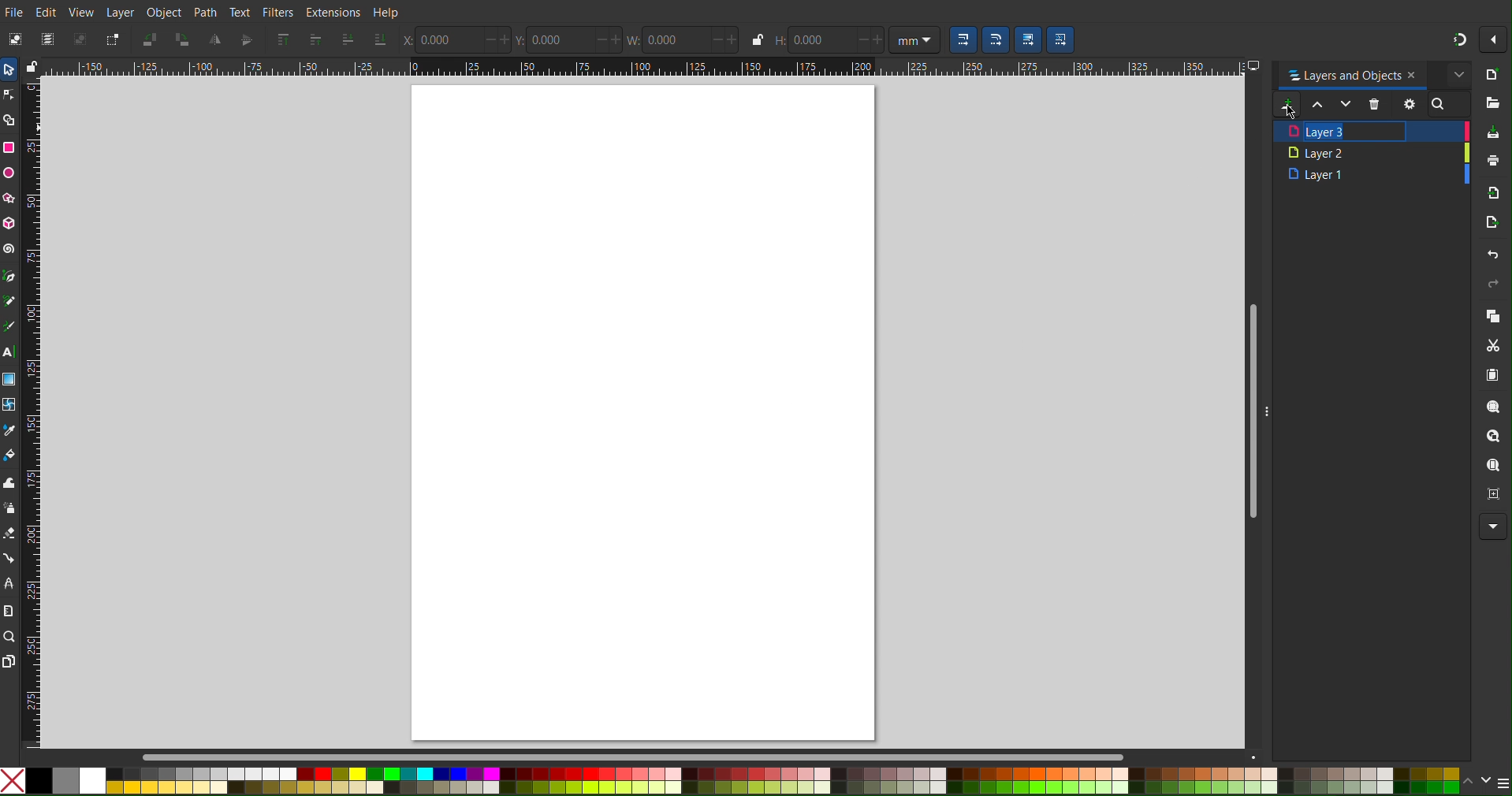 This screenshot has height=796, width=1512. What do you see at coordinates (13, 609) in the screenshot?
I see `Measure Tool` at bounding box center [13, 609].